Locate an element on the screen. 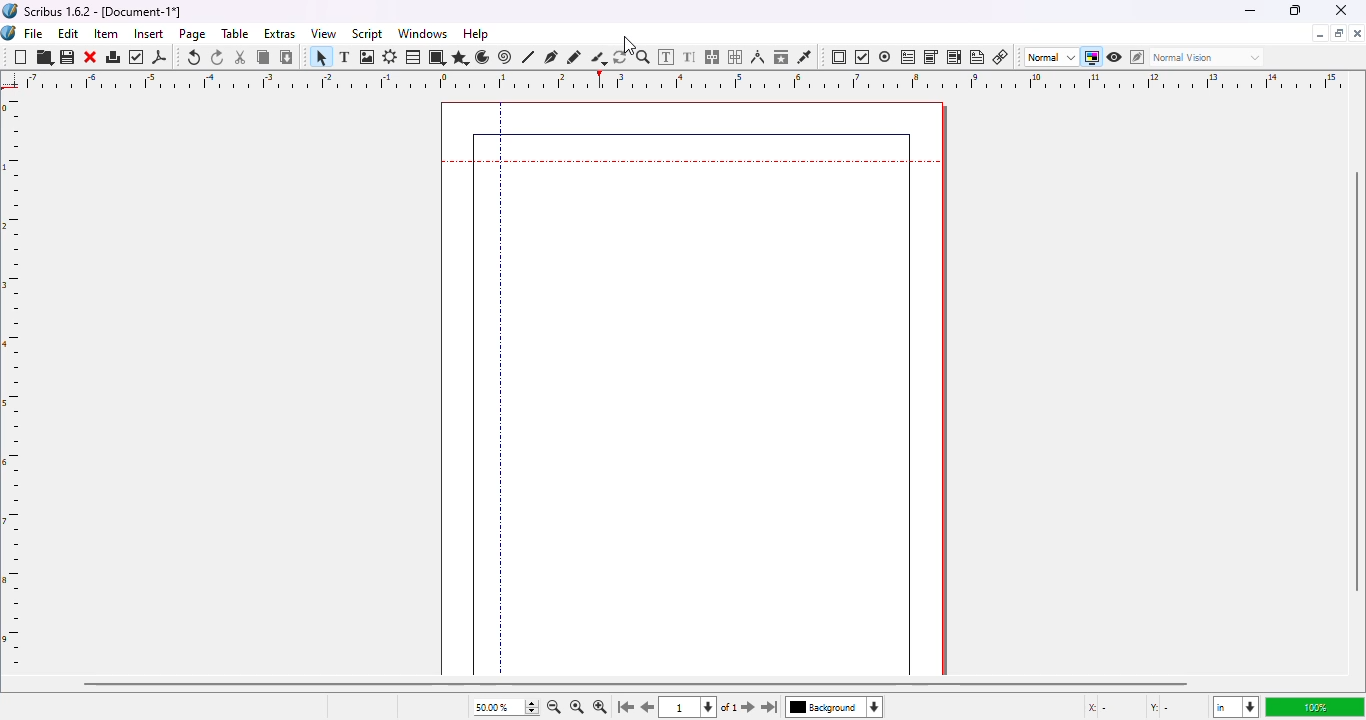 The height and width of the screenshot is (720, 1366). go to the next page is located at coordinates (748, 705).